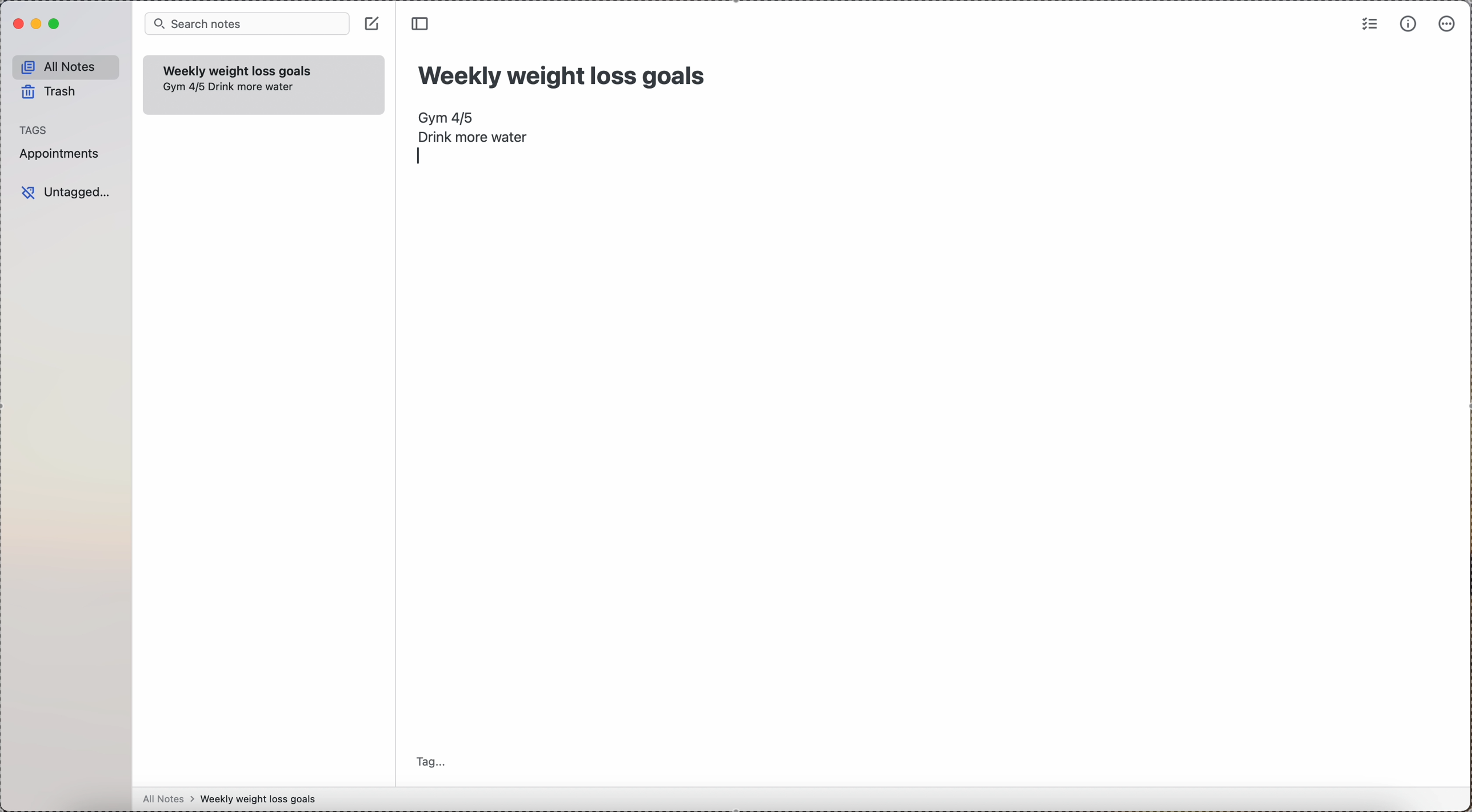 This screenshot has width=1472, height=812. What do you see at coordinates (234, 799) in the screenshot?
I see `all notes > weekly weight loss goals` at bounding box center [234, 799].